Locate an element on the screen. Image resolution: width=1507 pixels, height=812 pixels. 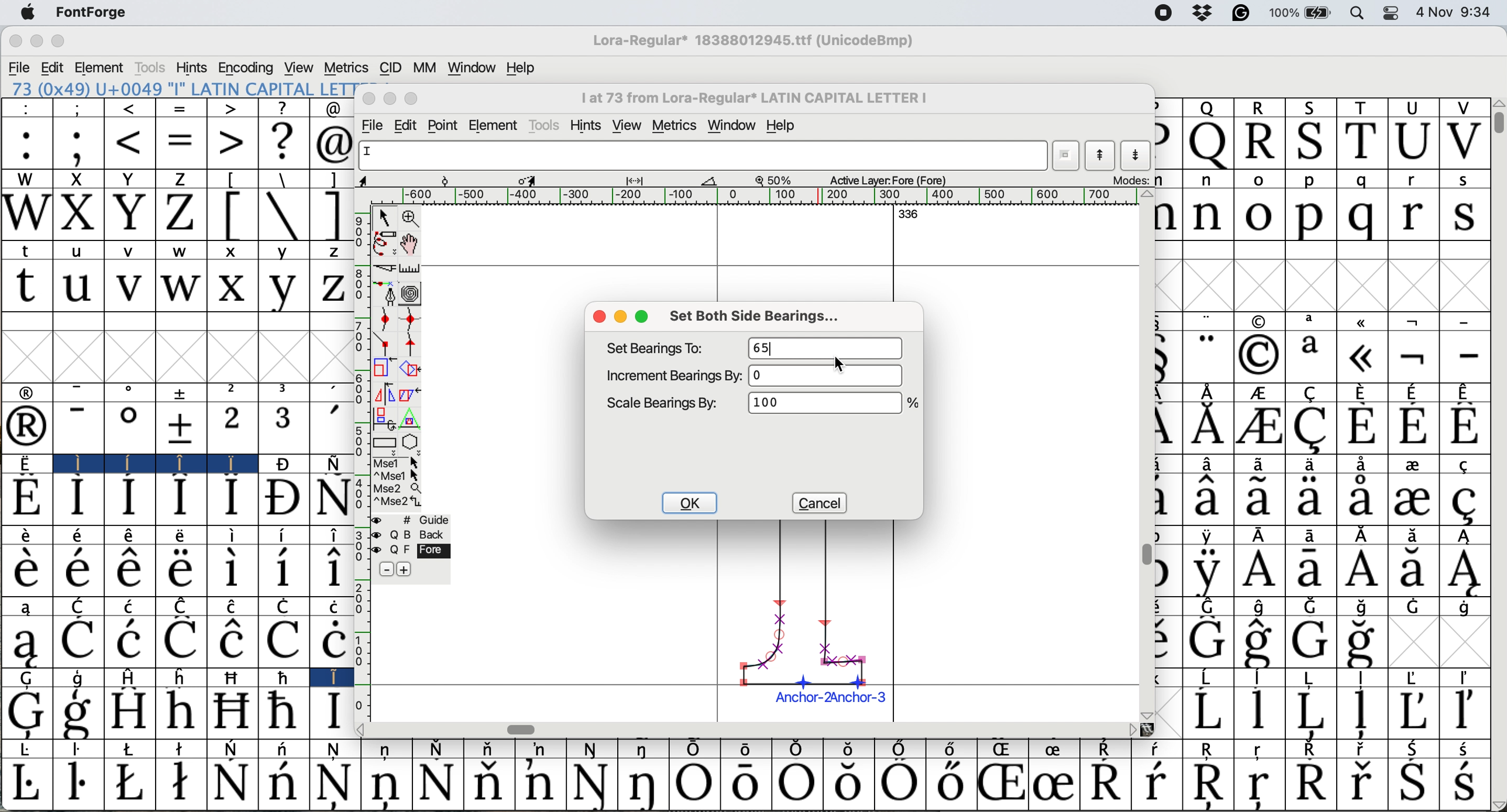
minimize is located at coordinates (35, 40).